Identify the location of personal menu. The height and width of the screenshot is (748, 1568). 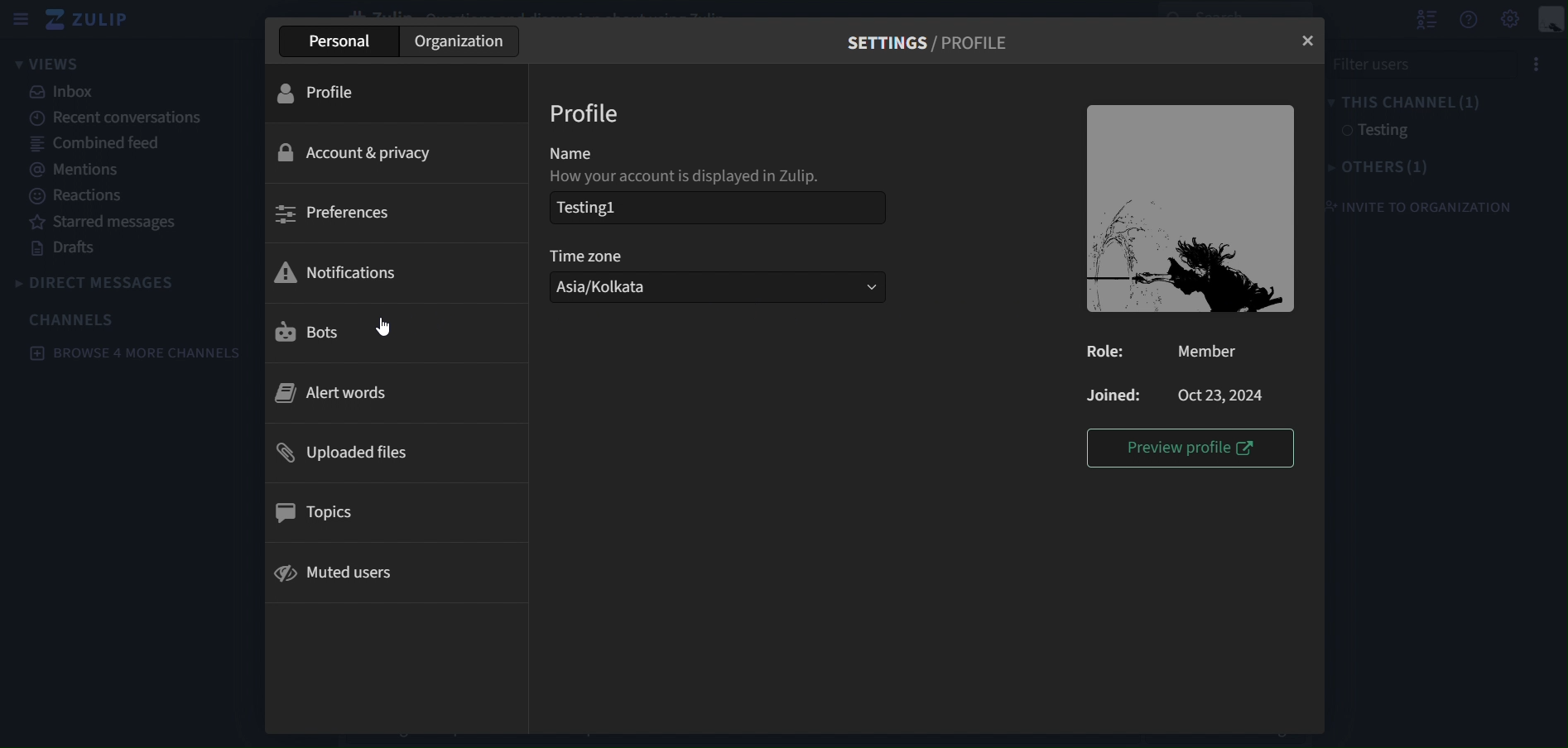
(1551, 20).